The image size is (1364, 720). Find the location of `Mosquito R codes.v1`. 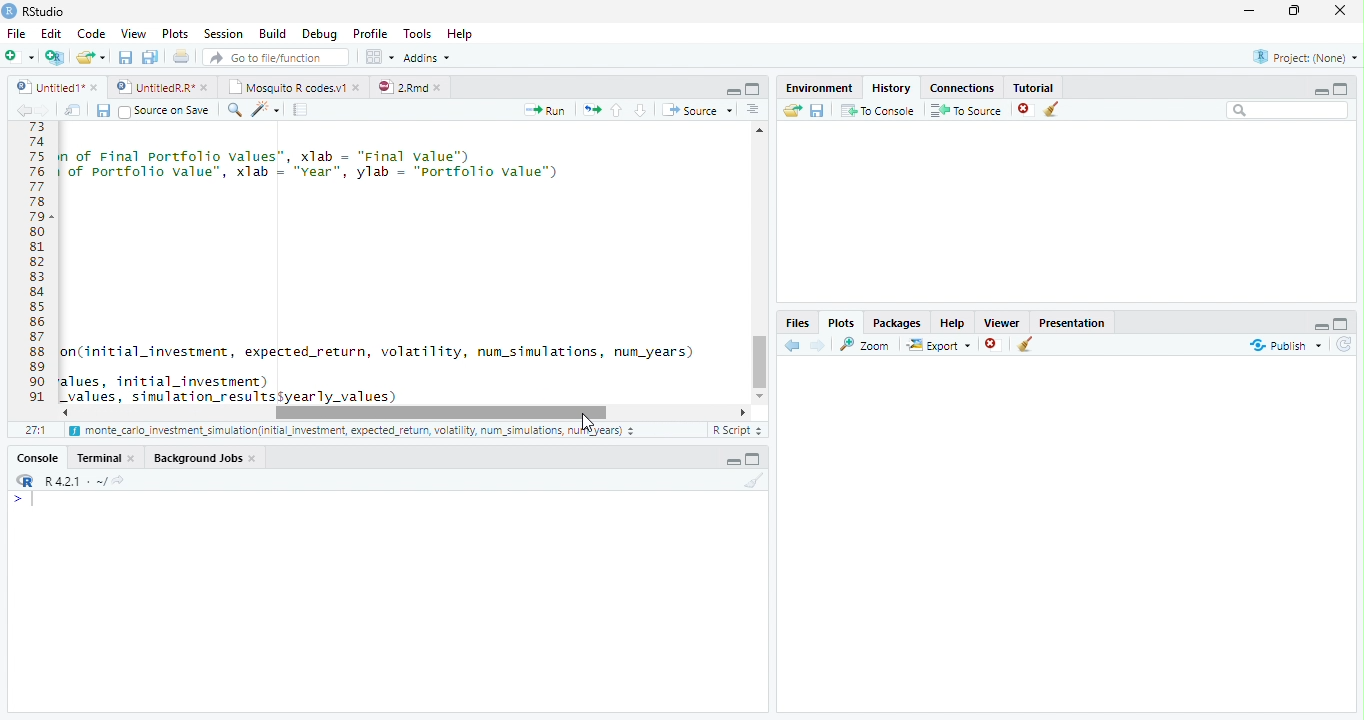

Mosquito R codes.v1 is located at coordinates (292, 86).